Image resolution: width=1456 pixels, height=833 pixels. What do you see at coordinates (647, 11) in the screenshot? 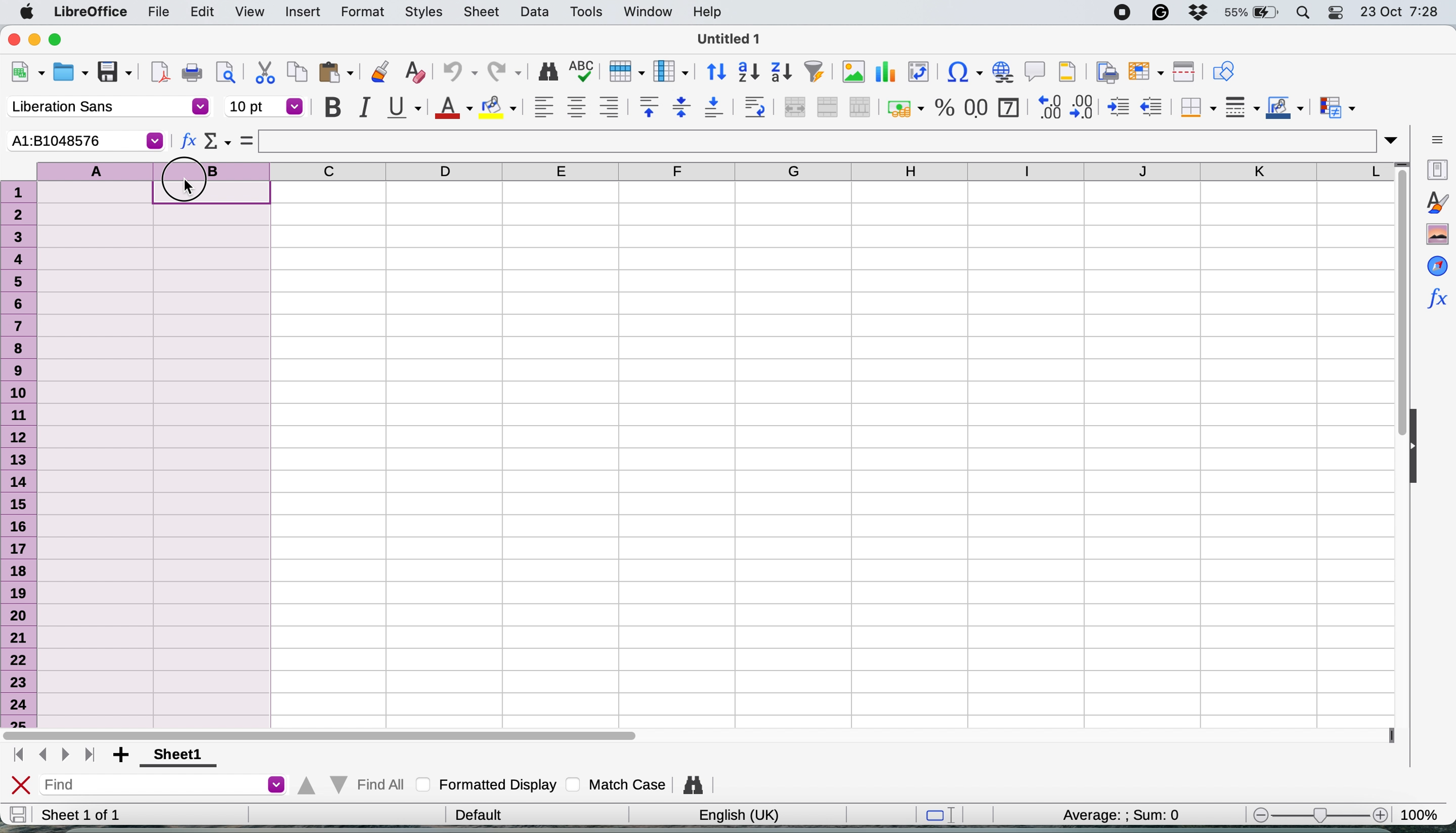
I see `window` at bounding box center [647, 11].